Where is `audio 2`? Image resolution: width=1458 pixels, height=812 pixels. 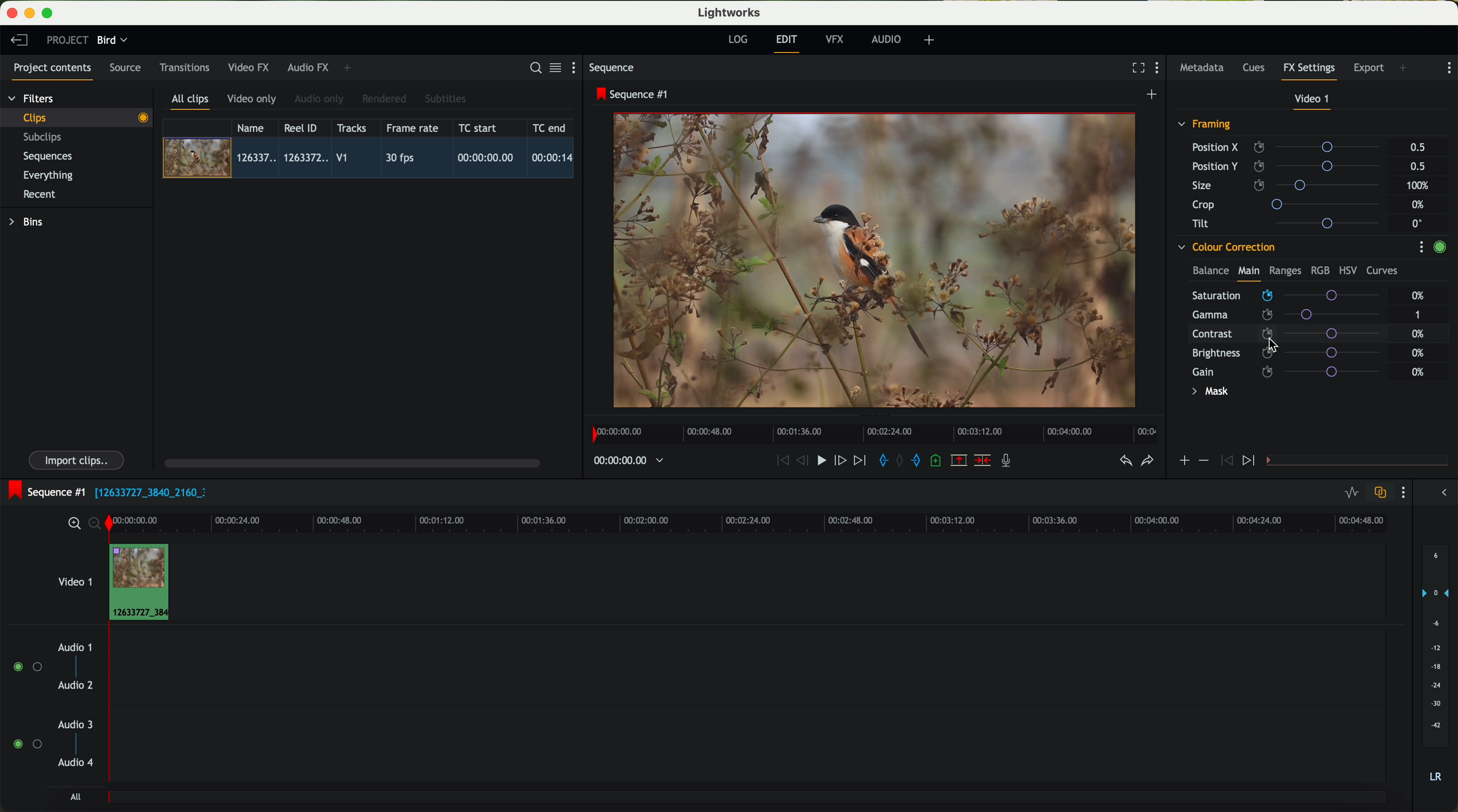
audio 2 is located at coordinates (76, 686).